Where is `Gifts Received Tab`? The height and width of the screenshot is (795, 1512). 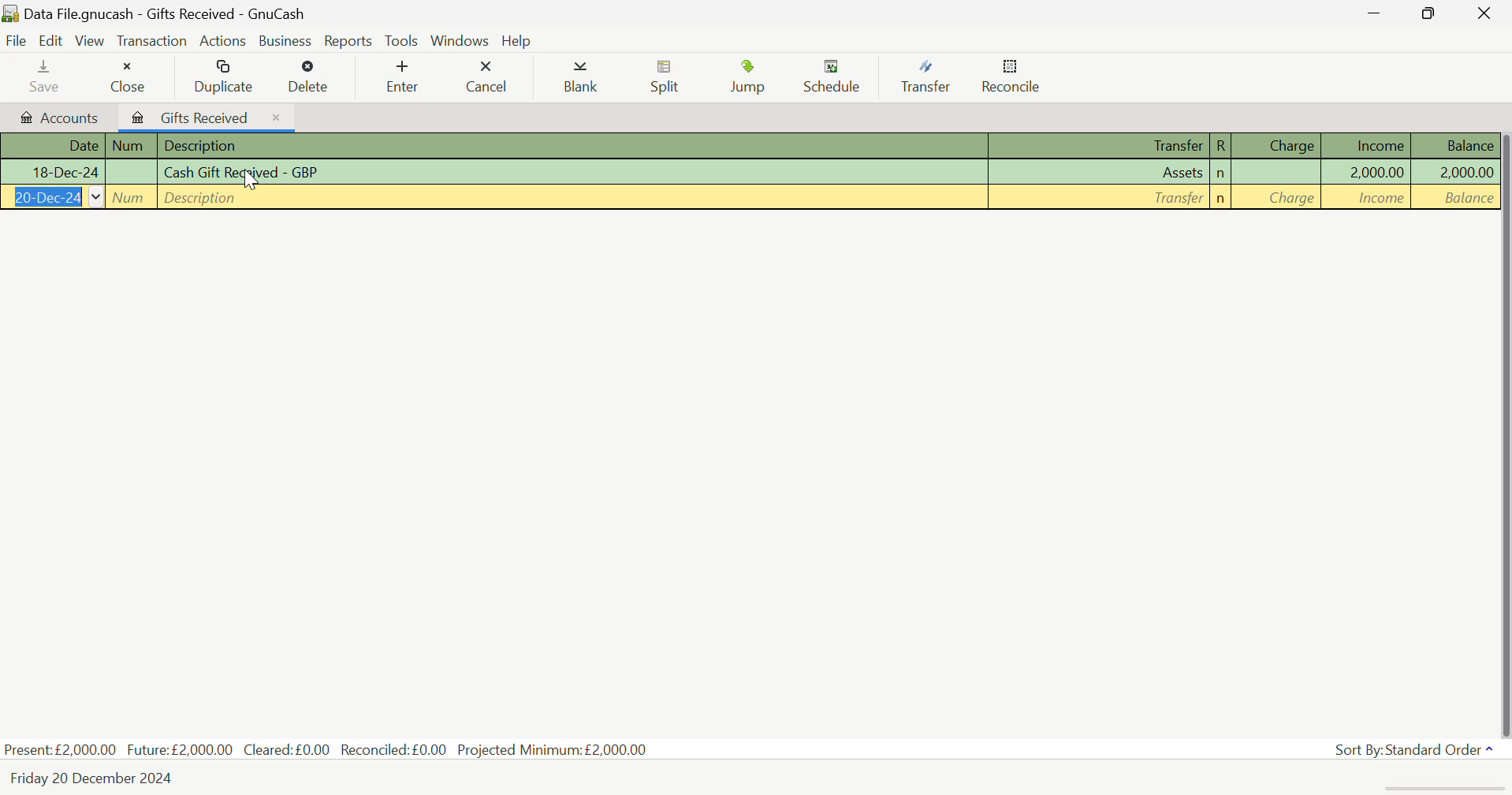 Gifts Received Tab is located at coordinates (208, 115).